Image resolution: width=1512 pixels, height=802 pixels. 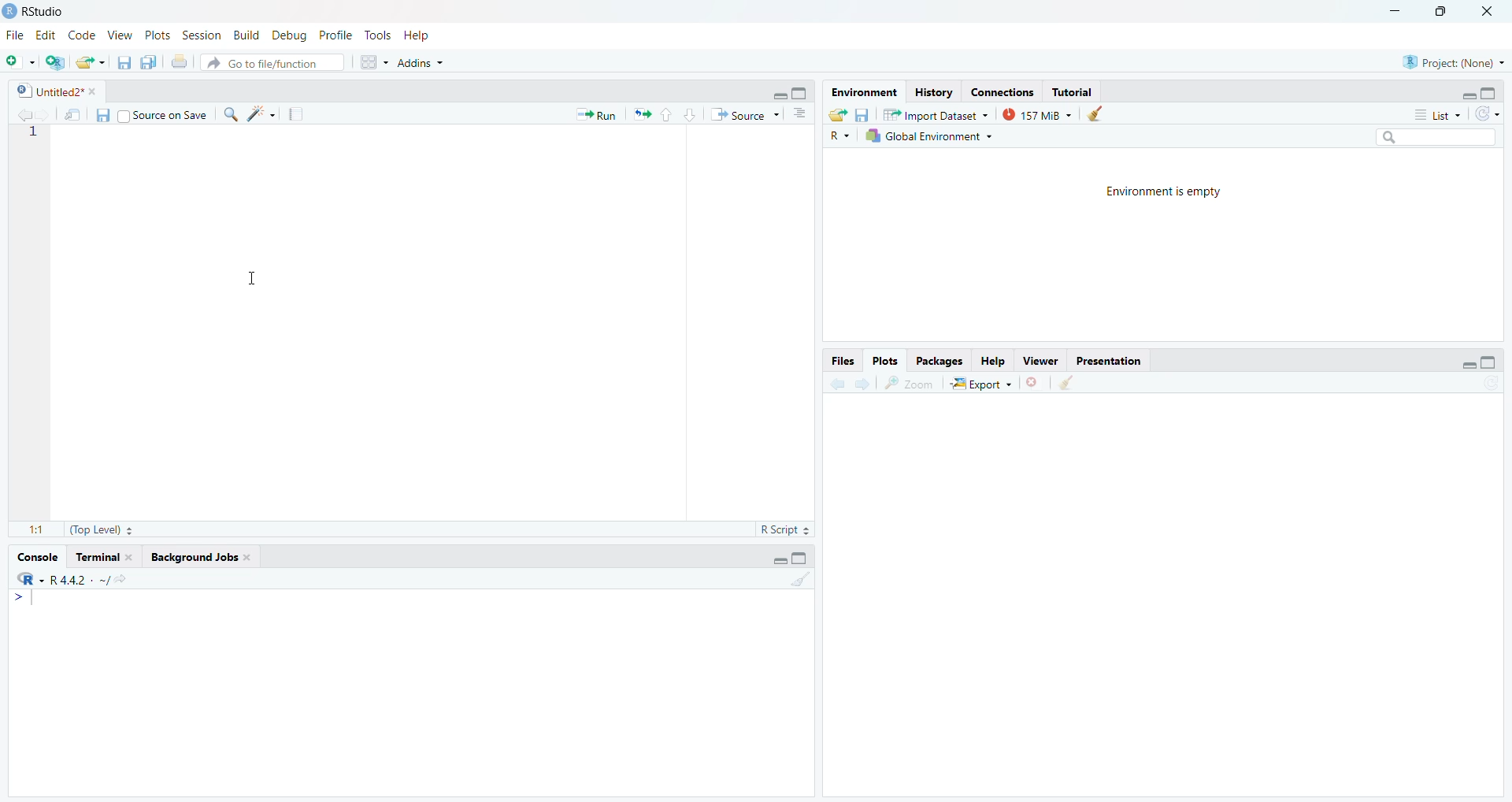 I want to click on Connections, so click(x=1002, y=91).